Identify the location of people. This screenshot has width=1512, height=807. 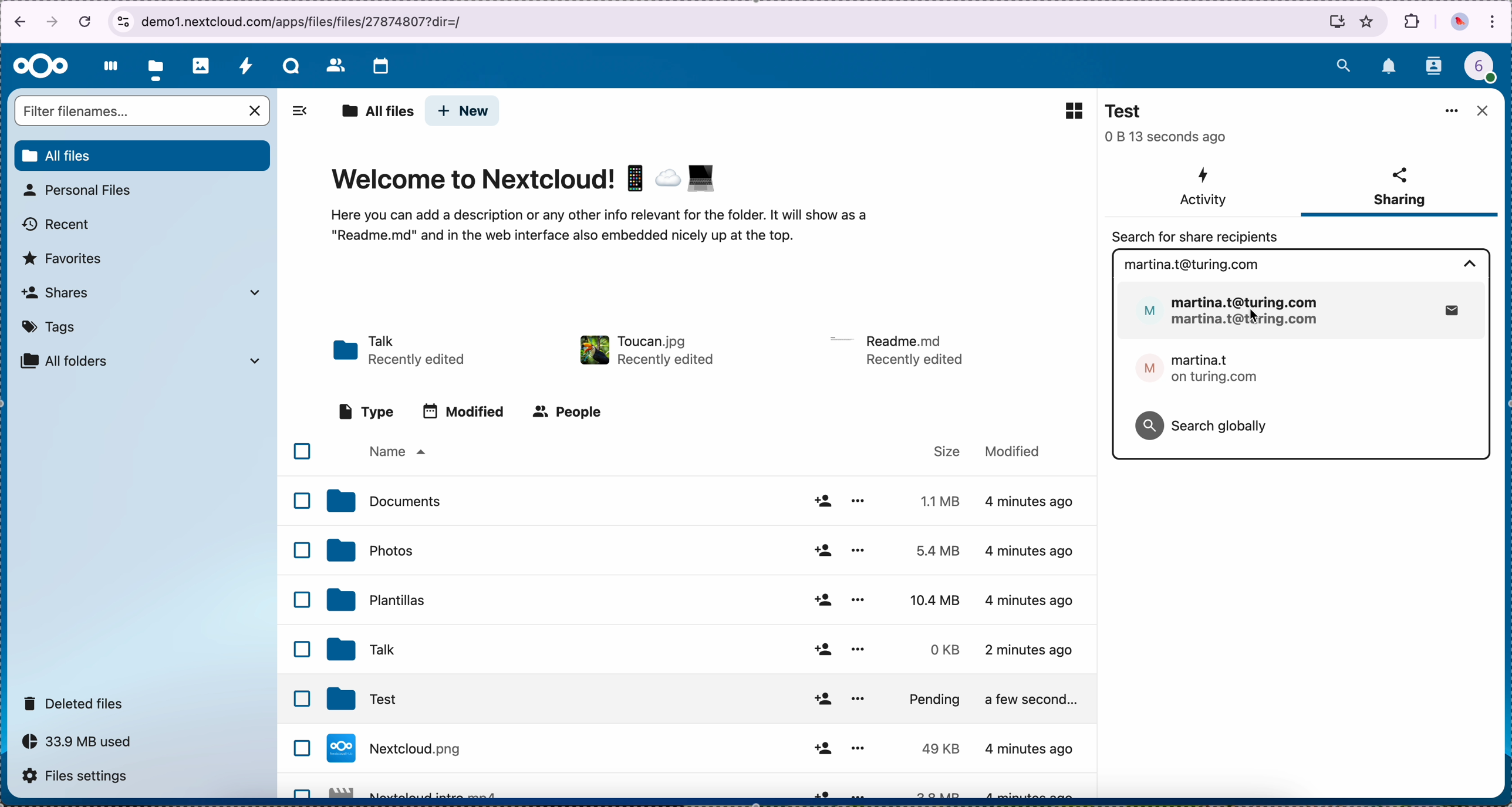
(571, 412).